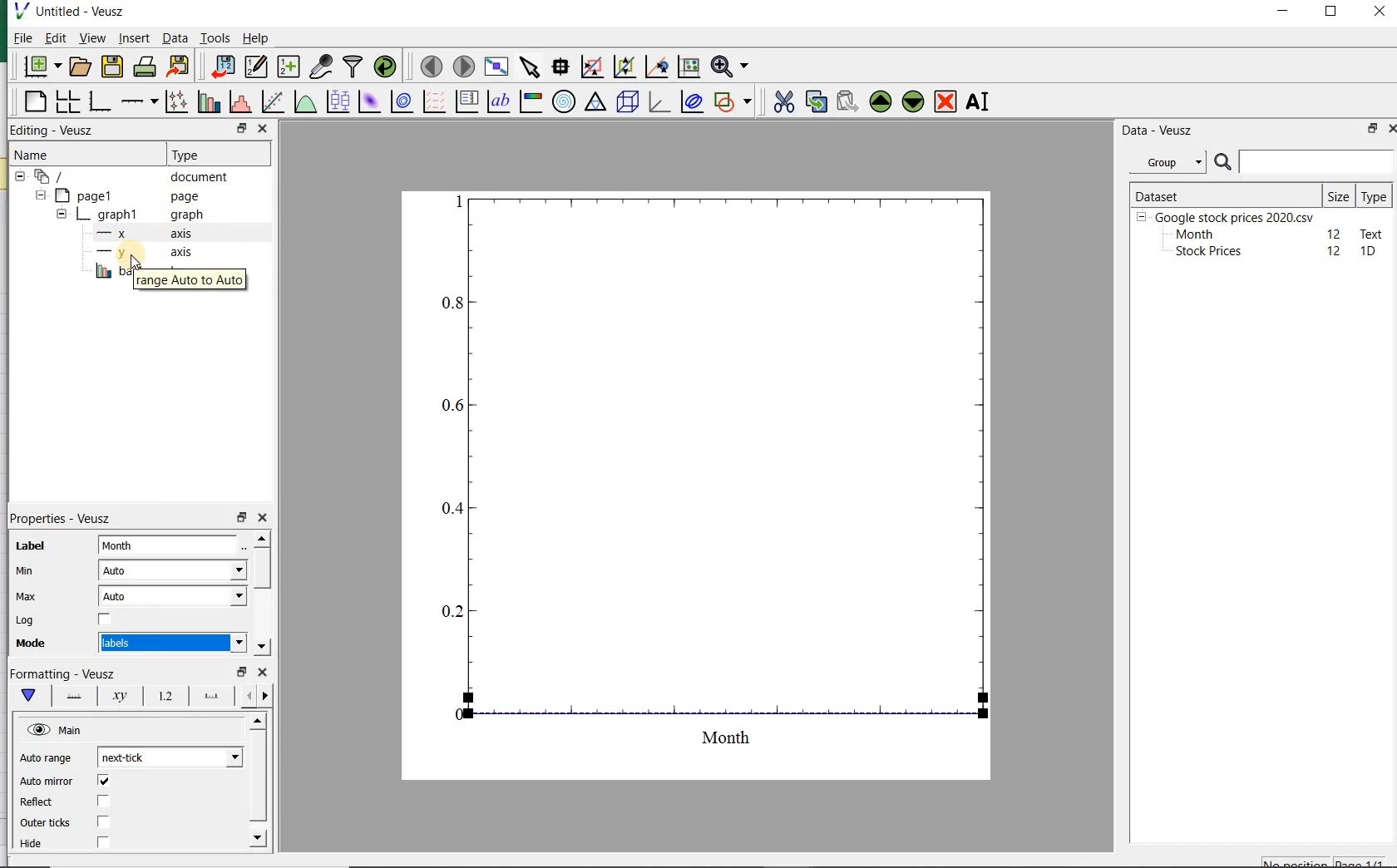 The height and width of the screenshot is (868, 1397). Describe the element at coordinates (692, 102) in the screenshot. I see `plot covariance ellipses` at that location.